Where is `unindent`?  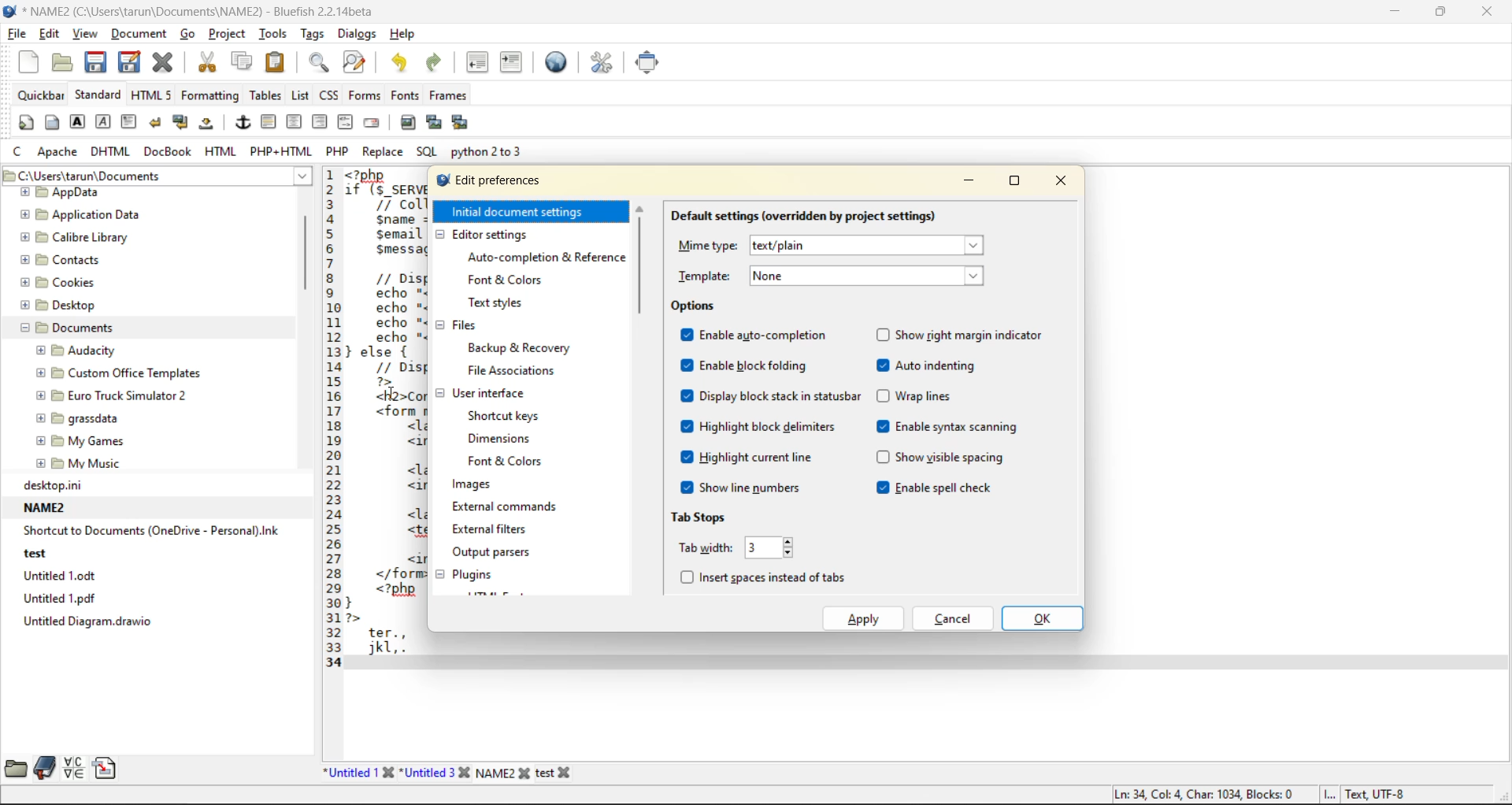 unindent is located at coordinates (482, 63).